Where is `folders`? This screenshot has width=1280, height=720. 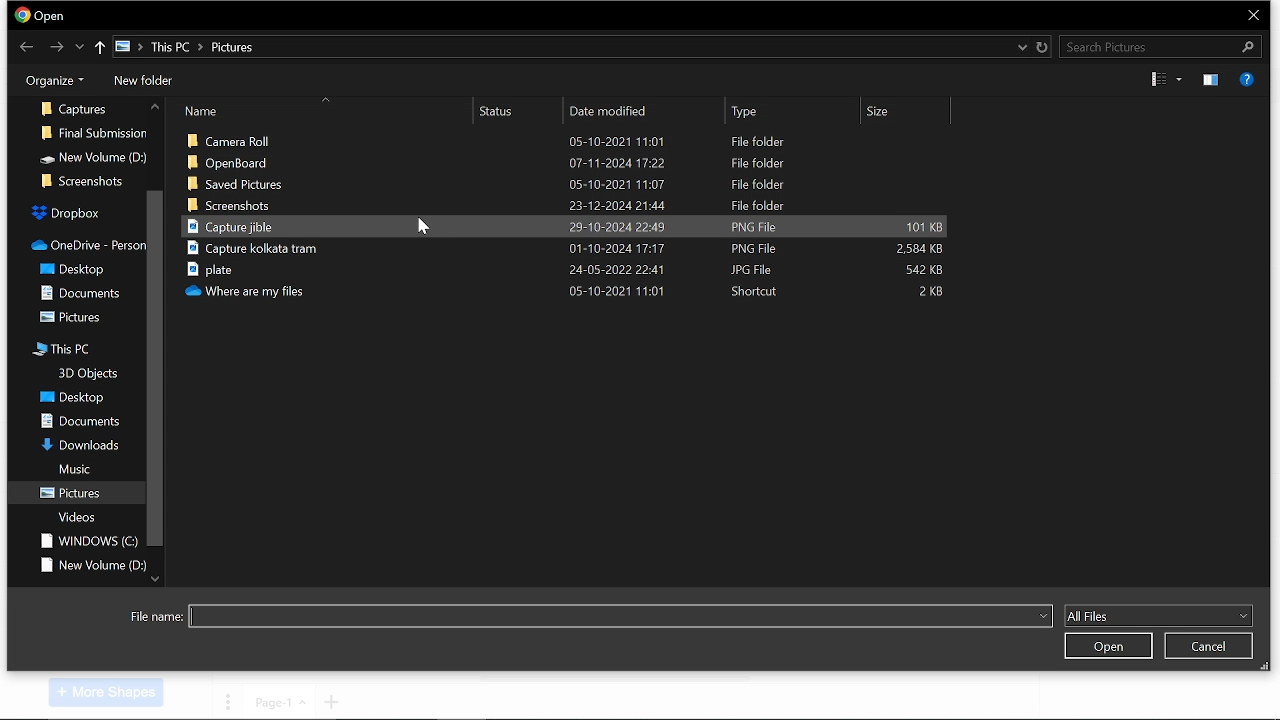
folders is located at coordinates (74, 470).